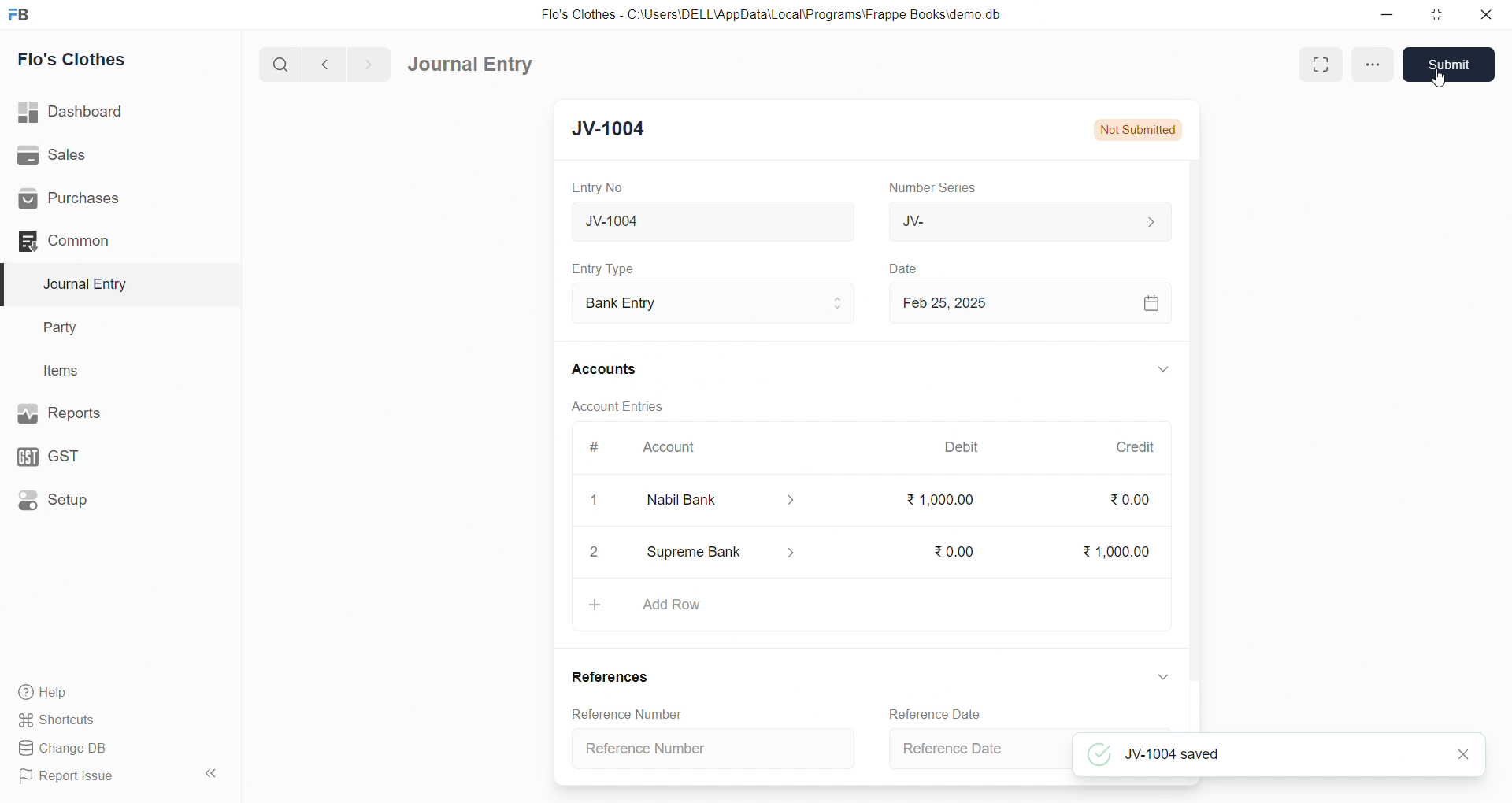 The image size is (1512, 803). What do you see at coordinates (940, 714) in the screenshot?
I see `Reference Date` at bounding box center [940, 714].